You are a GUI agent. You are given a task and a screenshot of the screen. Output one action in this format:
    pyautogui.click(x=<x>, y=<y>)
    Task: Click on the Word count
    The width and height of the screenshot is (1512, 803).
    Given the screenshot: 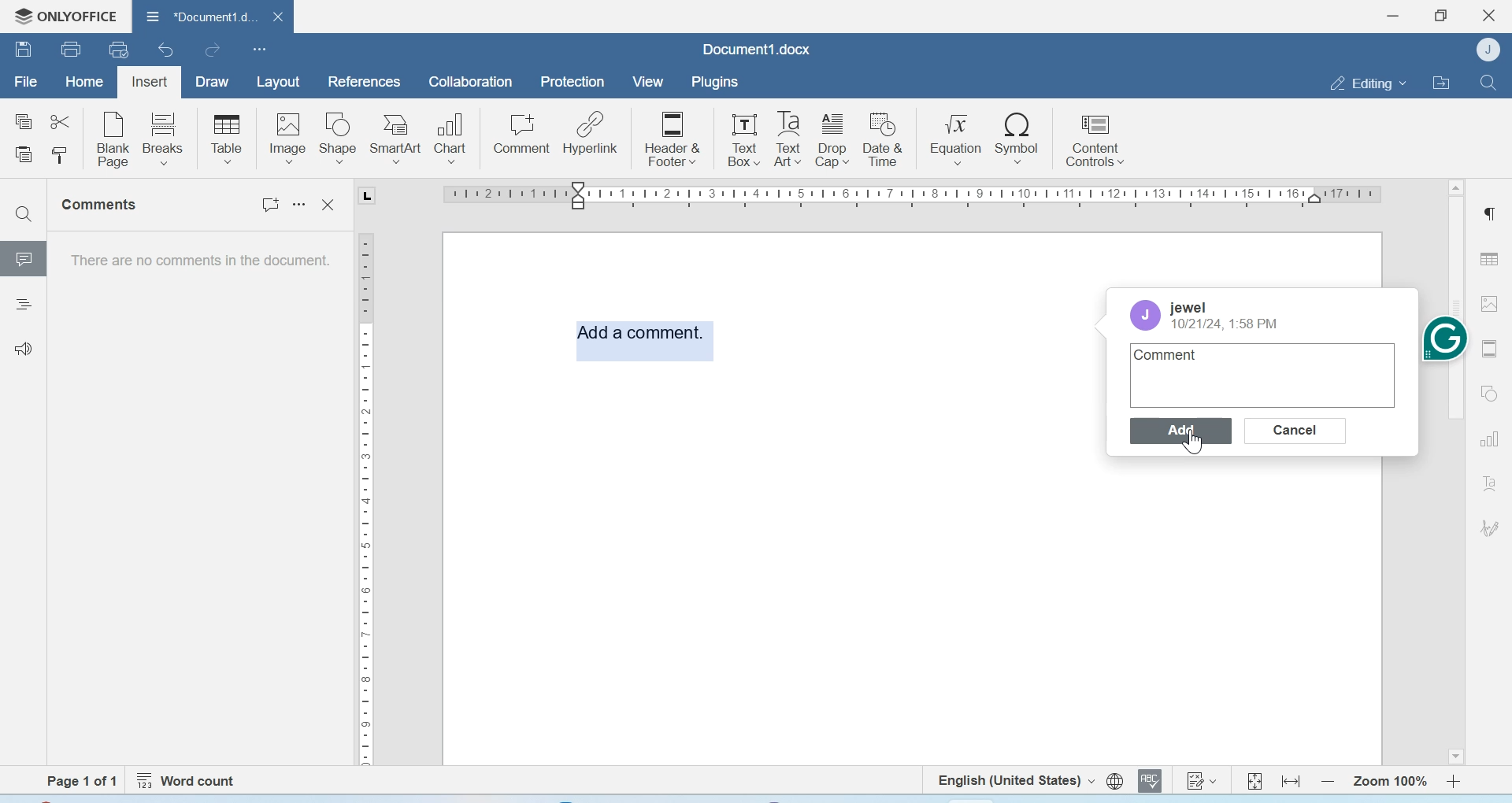 What is the action you would take?
    pyautogui.click(x=189, y=781)
    